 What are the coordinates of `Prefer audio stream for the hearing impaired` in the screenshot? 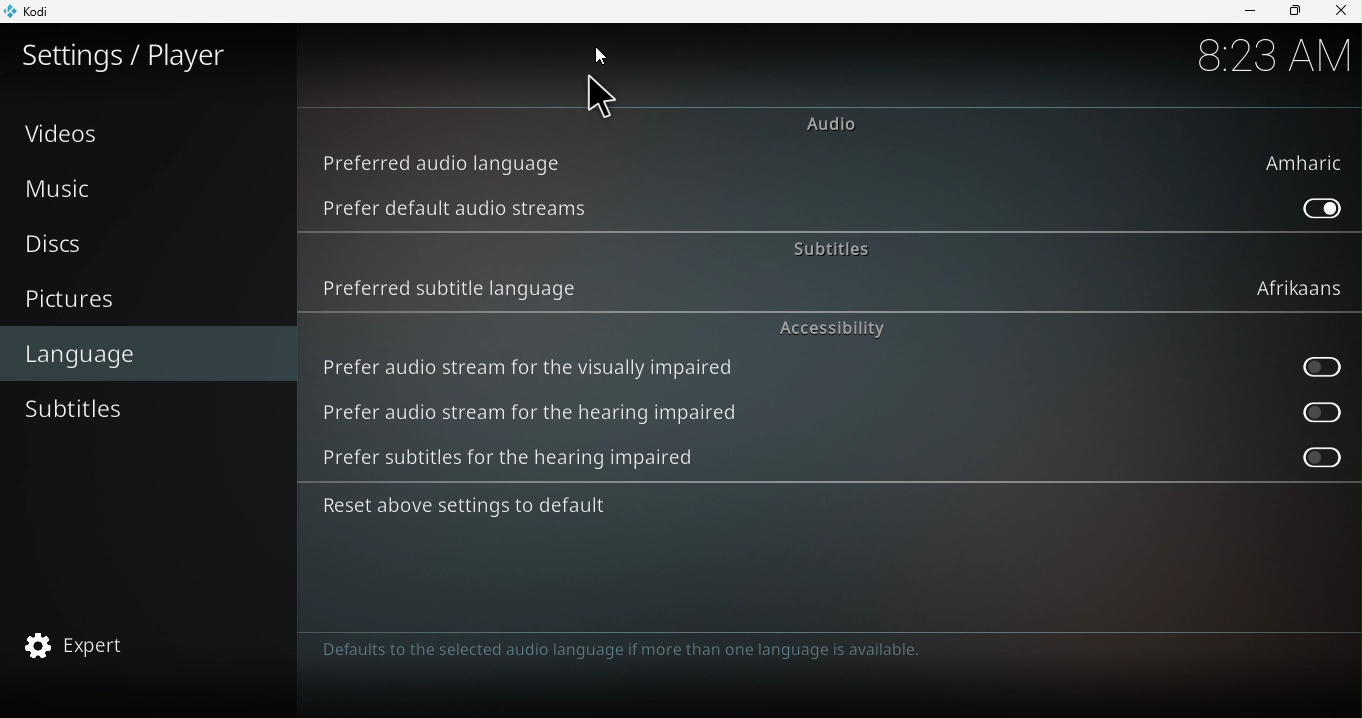 It's located at (551, 415).